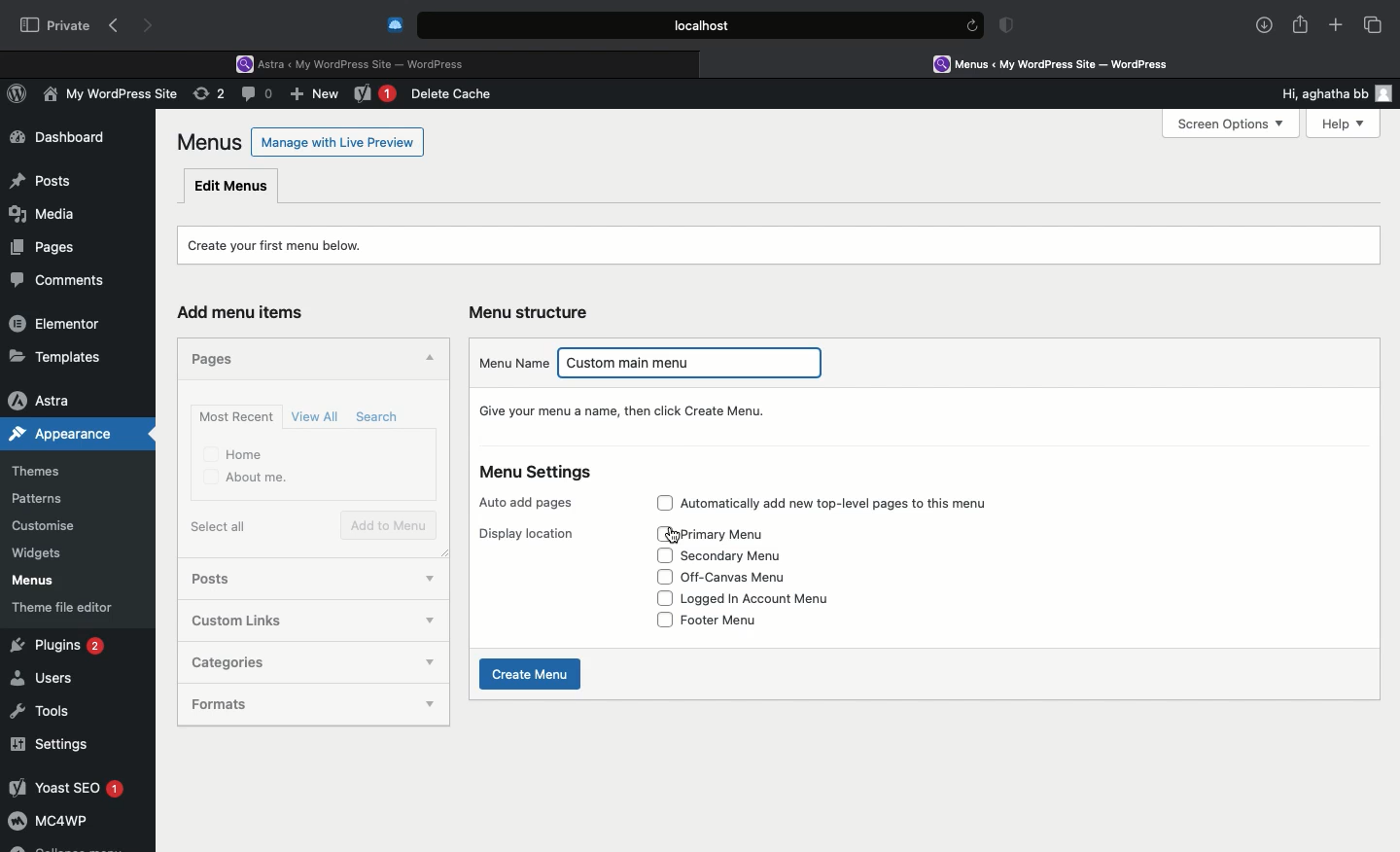  I want to click on Most recent, so click(233, 416).